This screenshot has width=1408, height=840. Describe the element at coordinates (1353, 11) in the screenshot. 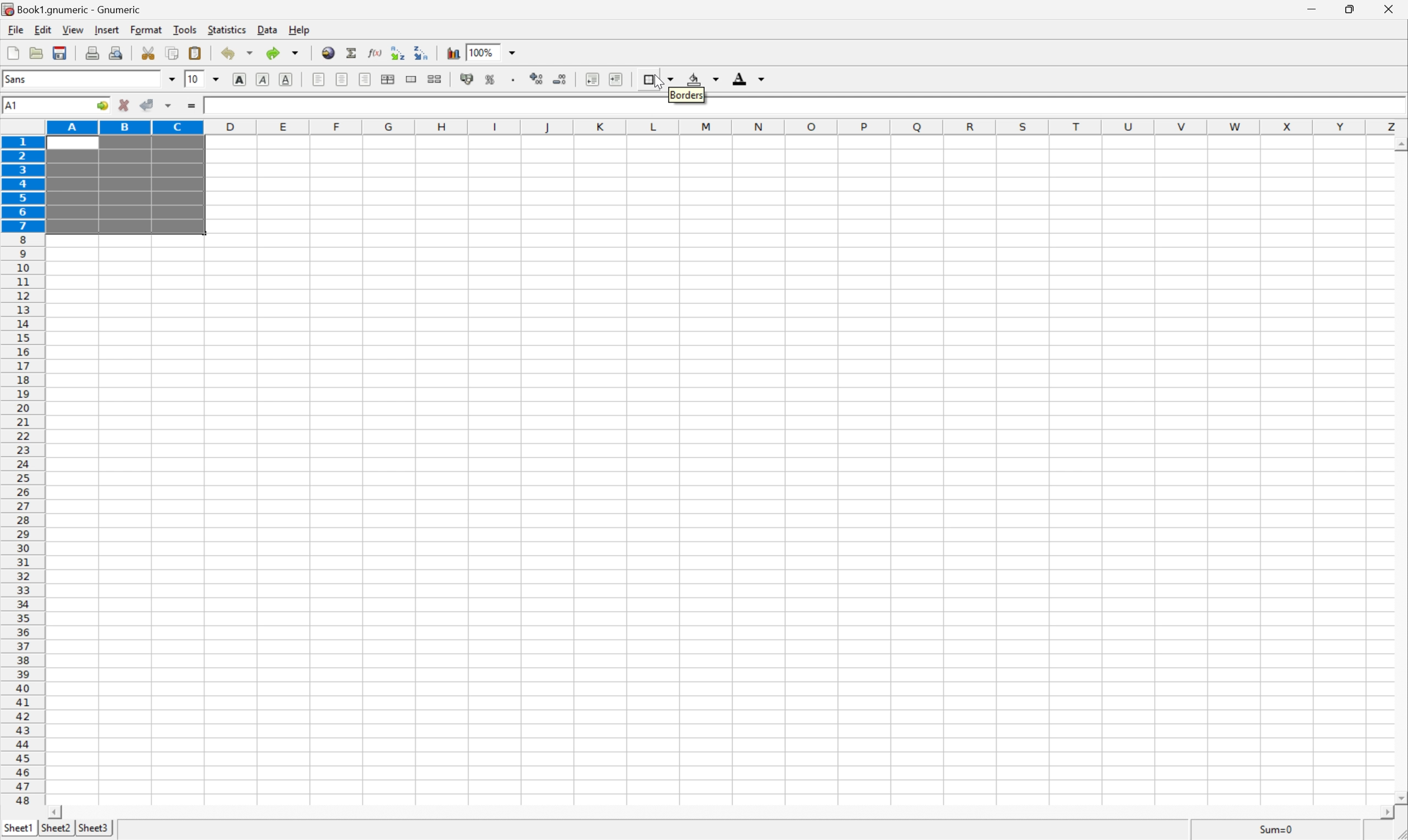

I see `restore down` at that location.